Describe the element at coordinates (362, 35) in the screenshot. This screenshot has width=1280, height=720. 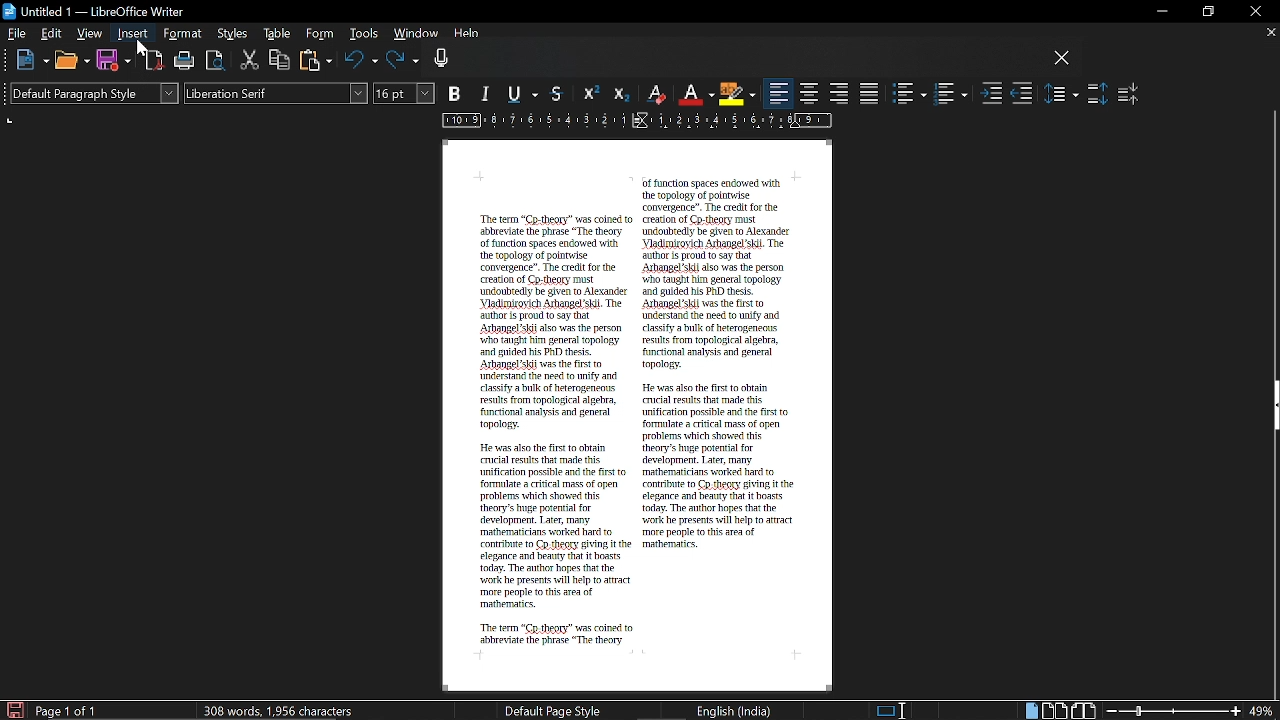
I see `Tools` at that location.